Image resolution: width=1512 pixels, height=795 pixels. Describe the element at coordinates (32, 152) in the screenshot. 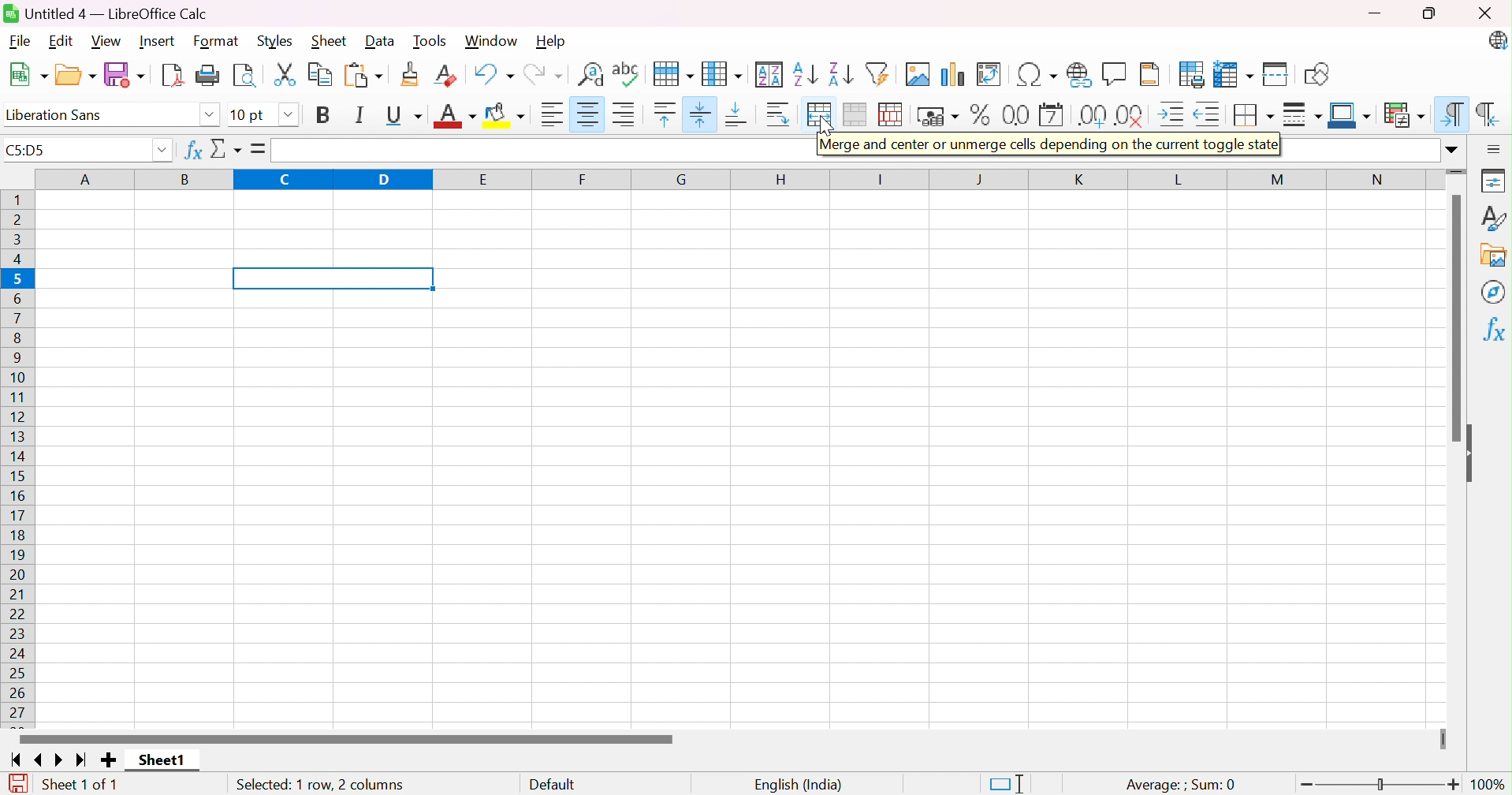

I see `C5:D5` at that location.